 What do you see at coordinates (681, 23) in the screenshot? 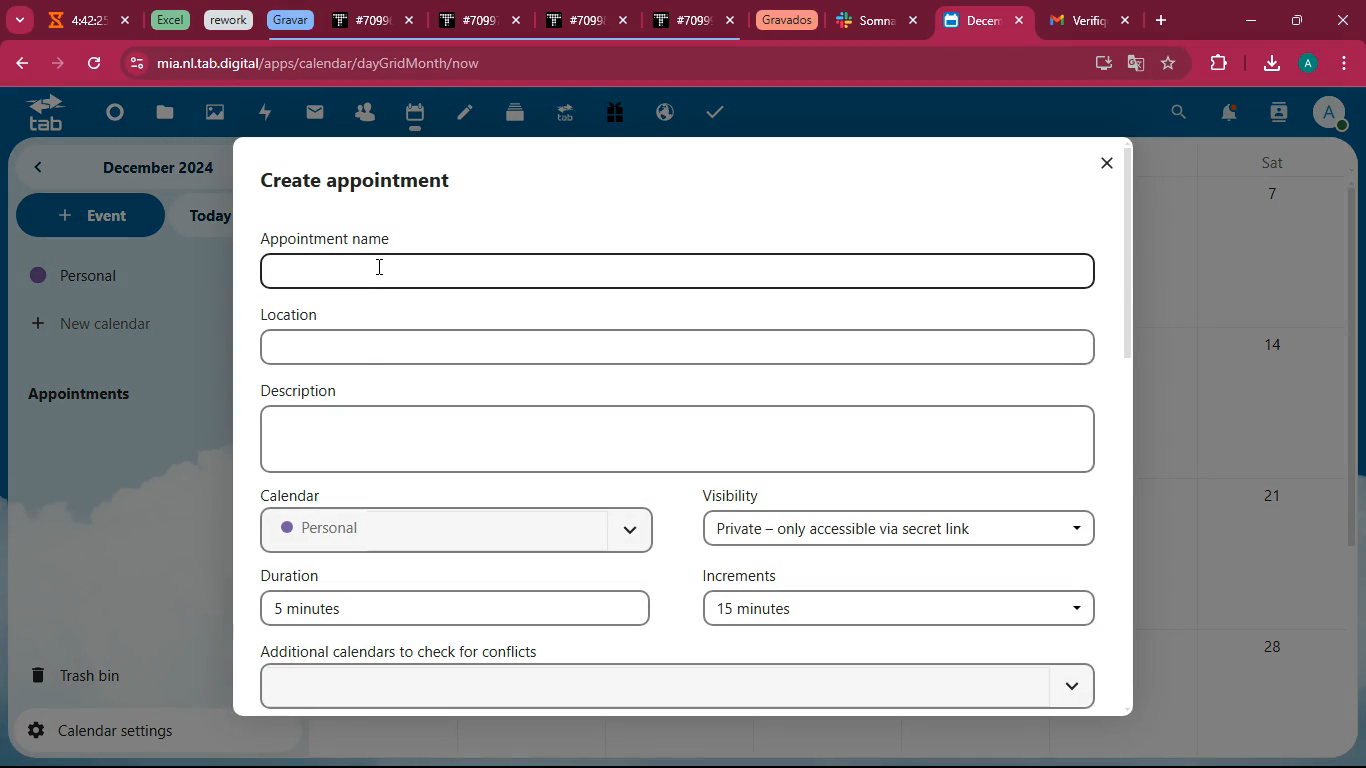
I see `tab` at bounding box center [681, 23].